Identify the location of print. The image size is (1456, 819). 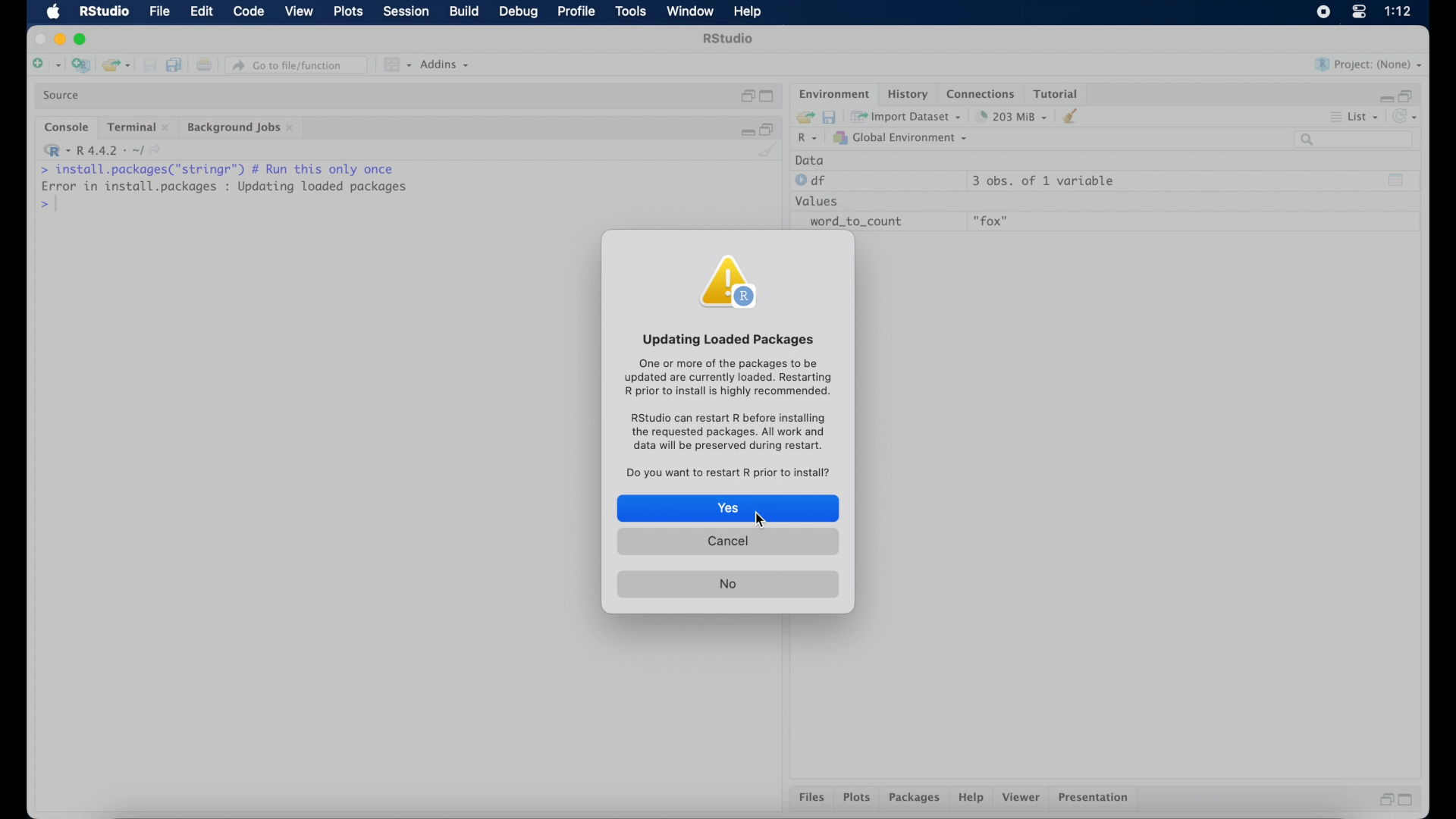
(204, 66).